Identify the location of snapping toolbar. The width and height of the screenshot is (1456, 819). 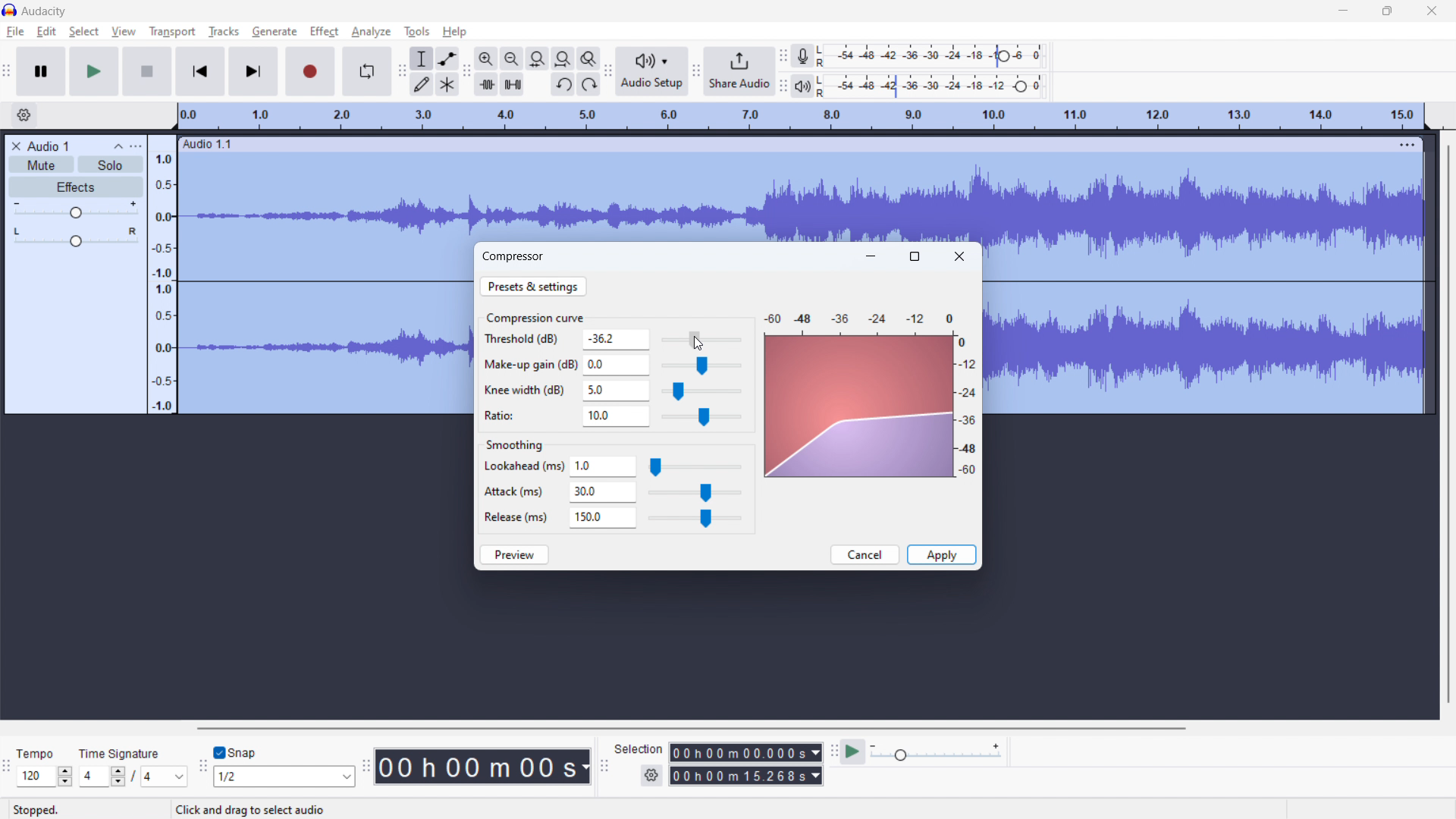
(203, 766).